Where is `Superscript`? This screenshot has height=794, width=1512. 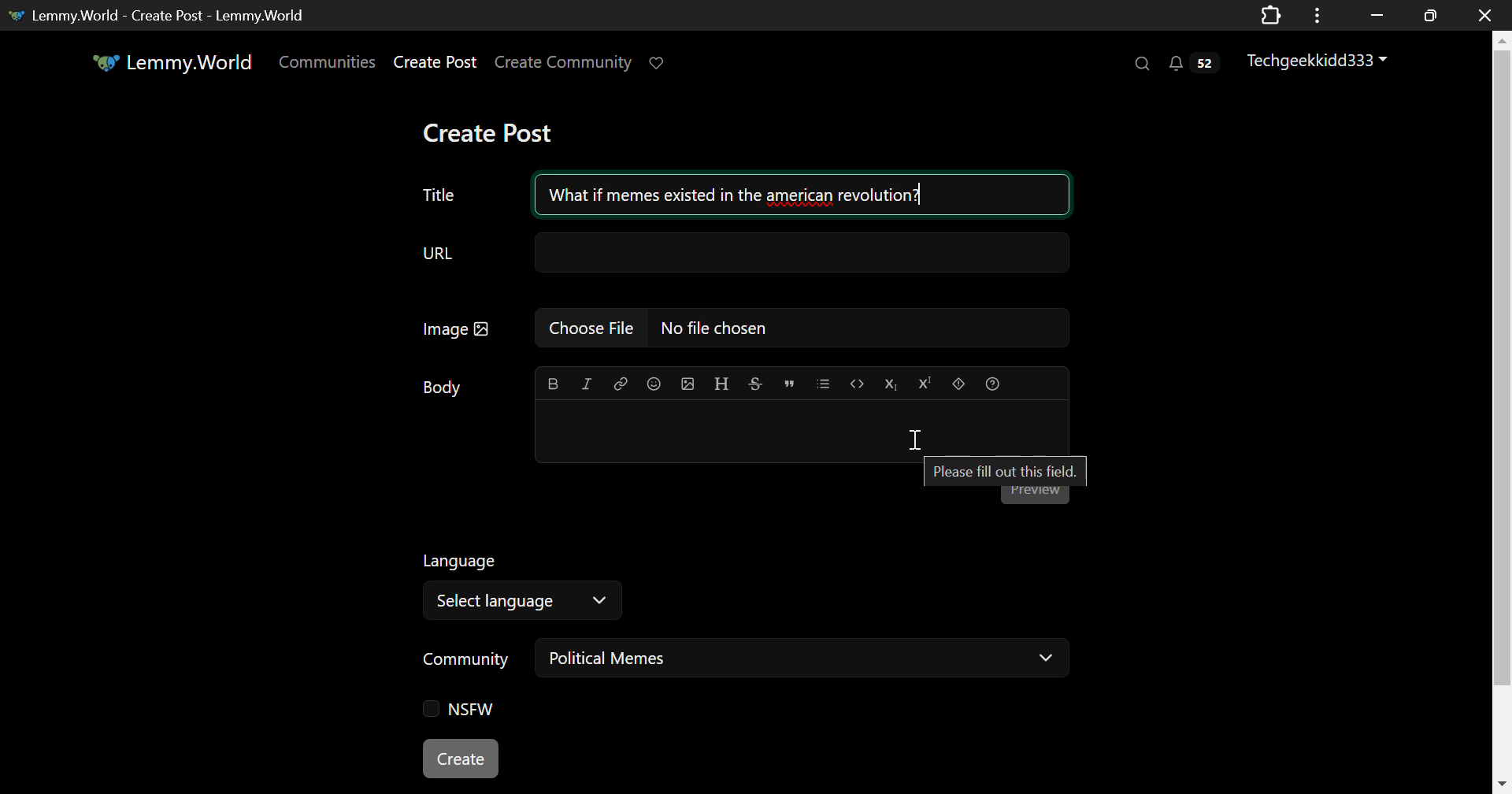
Superscript is located at coordinates (925, 384).